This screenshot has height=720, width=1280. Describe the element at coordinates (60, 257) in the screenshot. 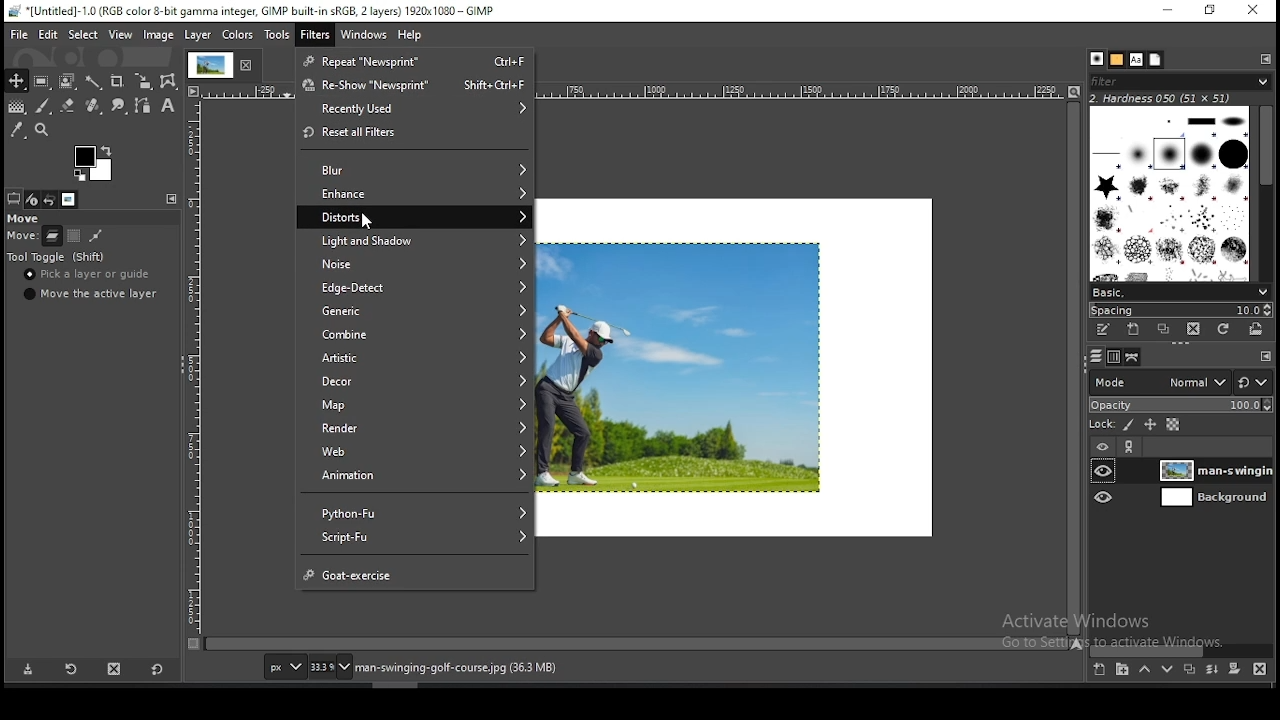

I see `tool toggle` at that location.